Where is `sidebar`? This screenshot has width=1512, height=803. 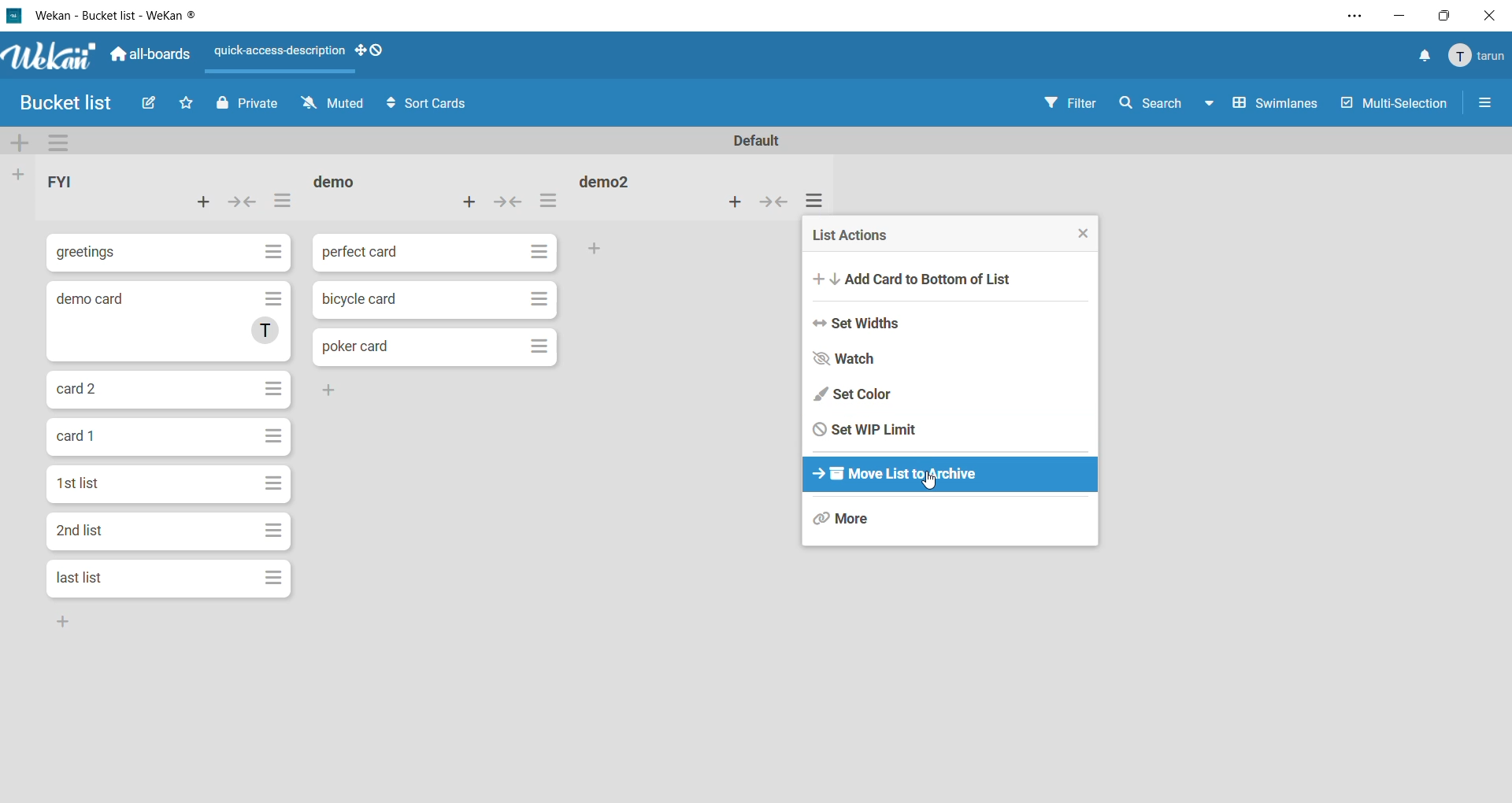
sidebar is located at coordinates (1492, 105).